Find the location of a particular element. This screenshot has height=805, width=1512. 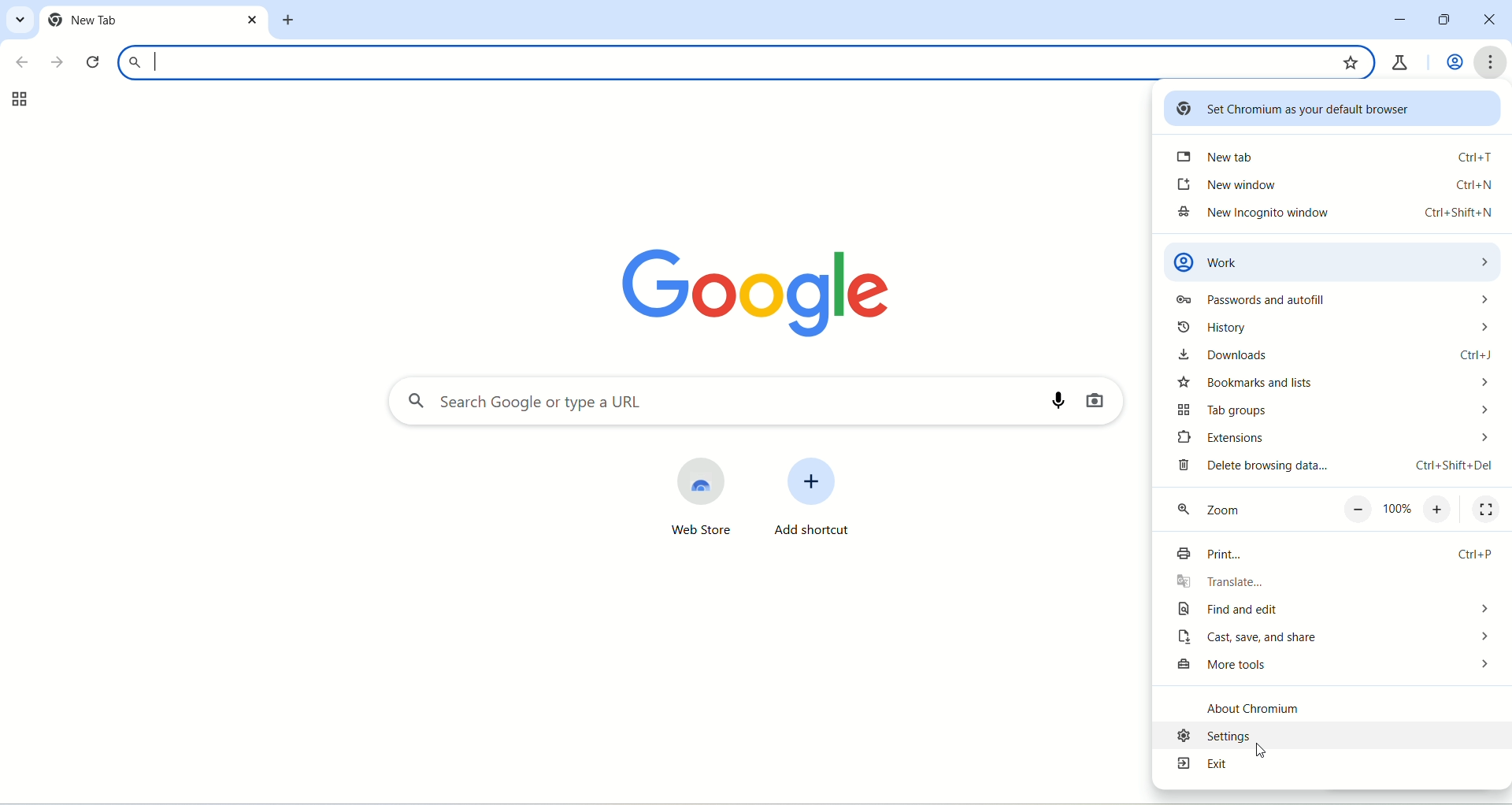

downloads ctrl+j is located at coordinates (1330, 355).